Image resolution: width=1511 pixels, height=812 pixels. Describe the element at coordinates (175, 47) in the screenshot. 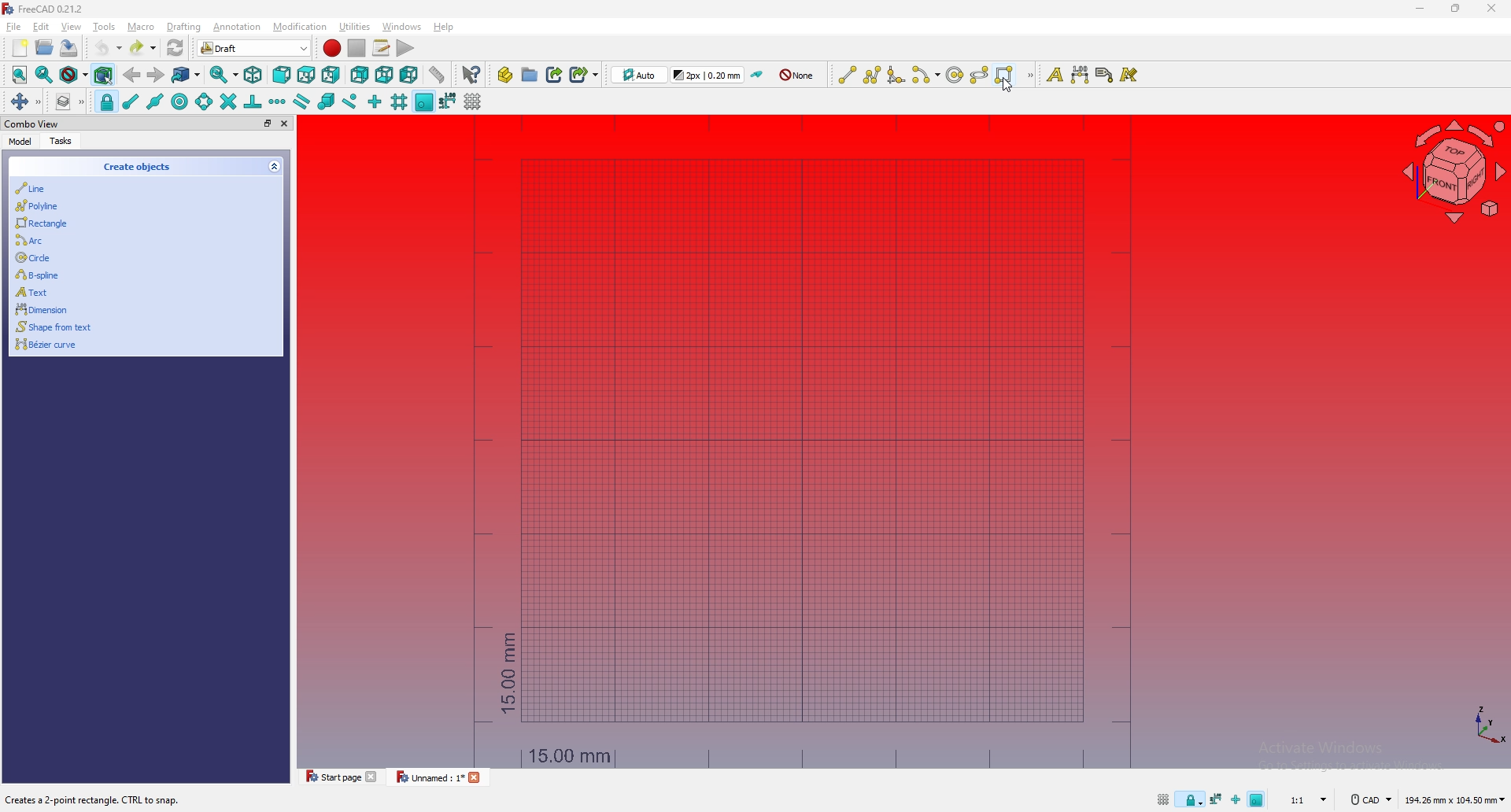

I see `refresh` at that location.